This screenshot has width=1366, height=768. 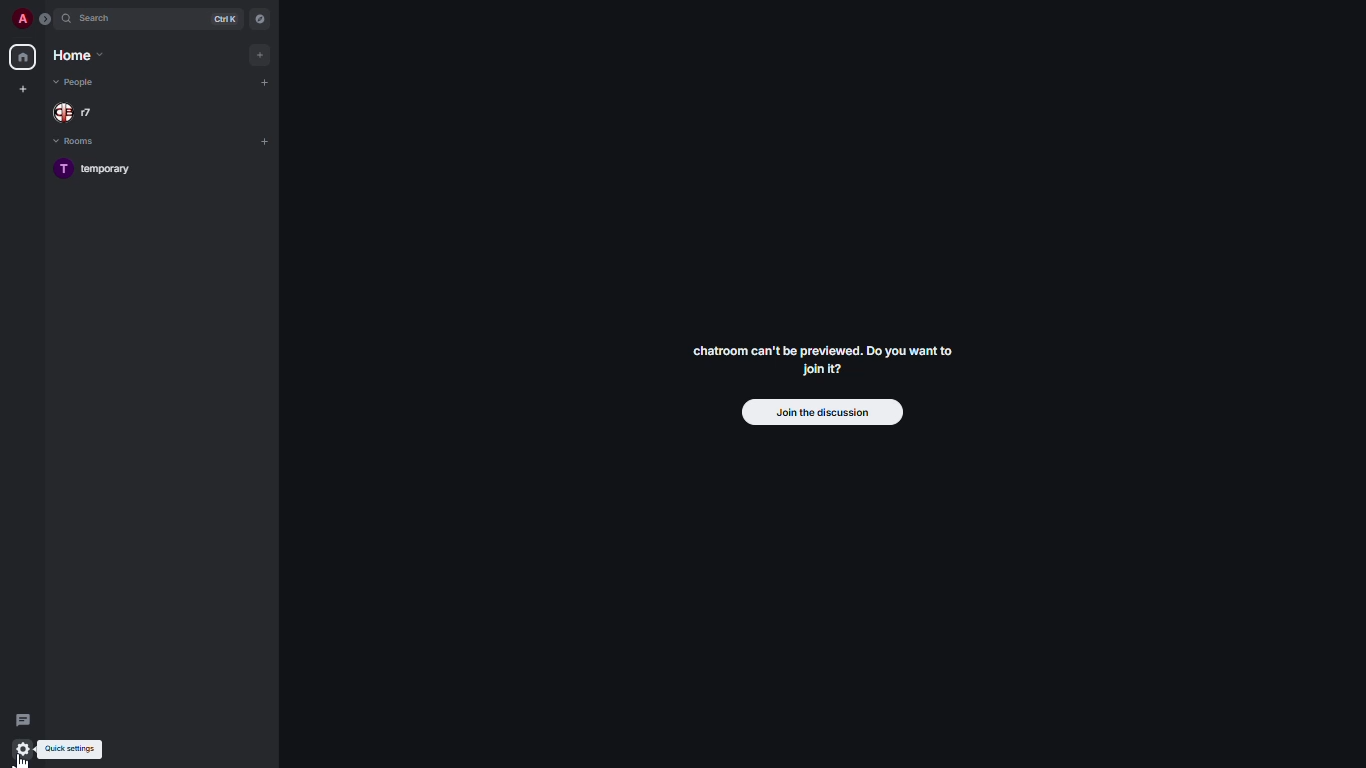 What do you see at coordinates (77, 142) in the screenshot?
I see `rooms` at bounding box center [77, 142].